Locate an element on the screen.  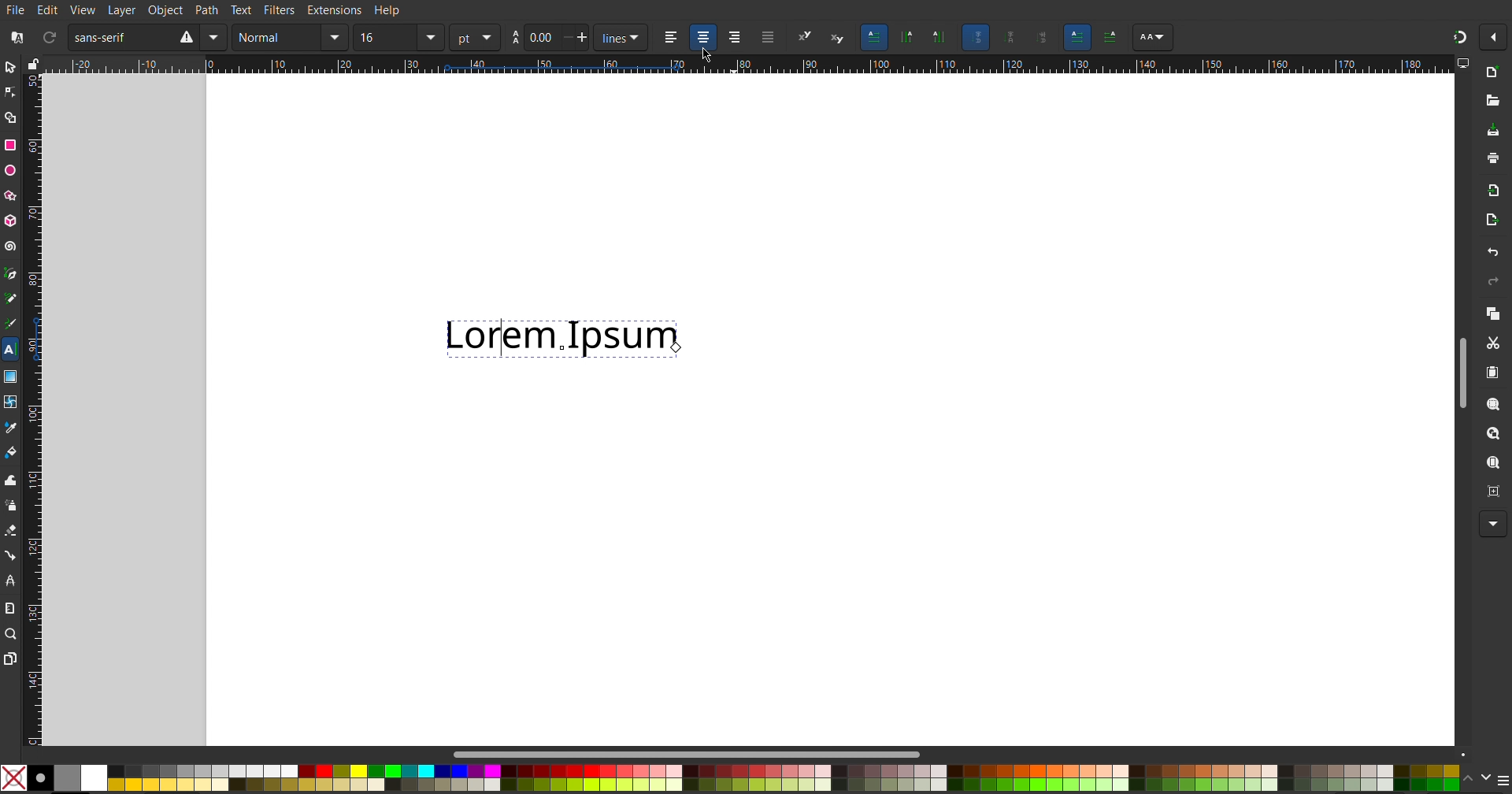
Spray Tool is located at coordinates (13, 508).